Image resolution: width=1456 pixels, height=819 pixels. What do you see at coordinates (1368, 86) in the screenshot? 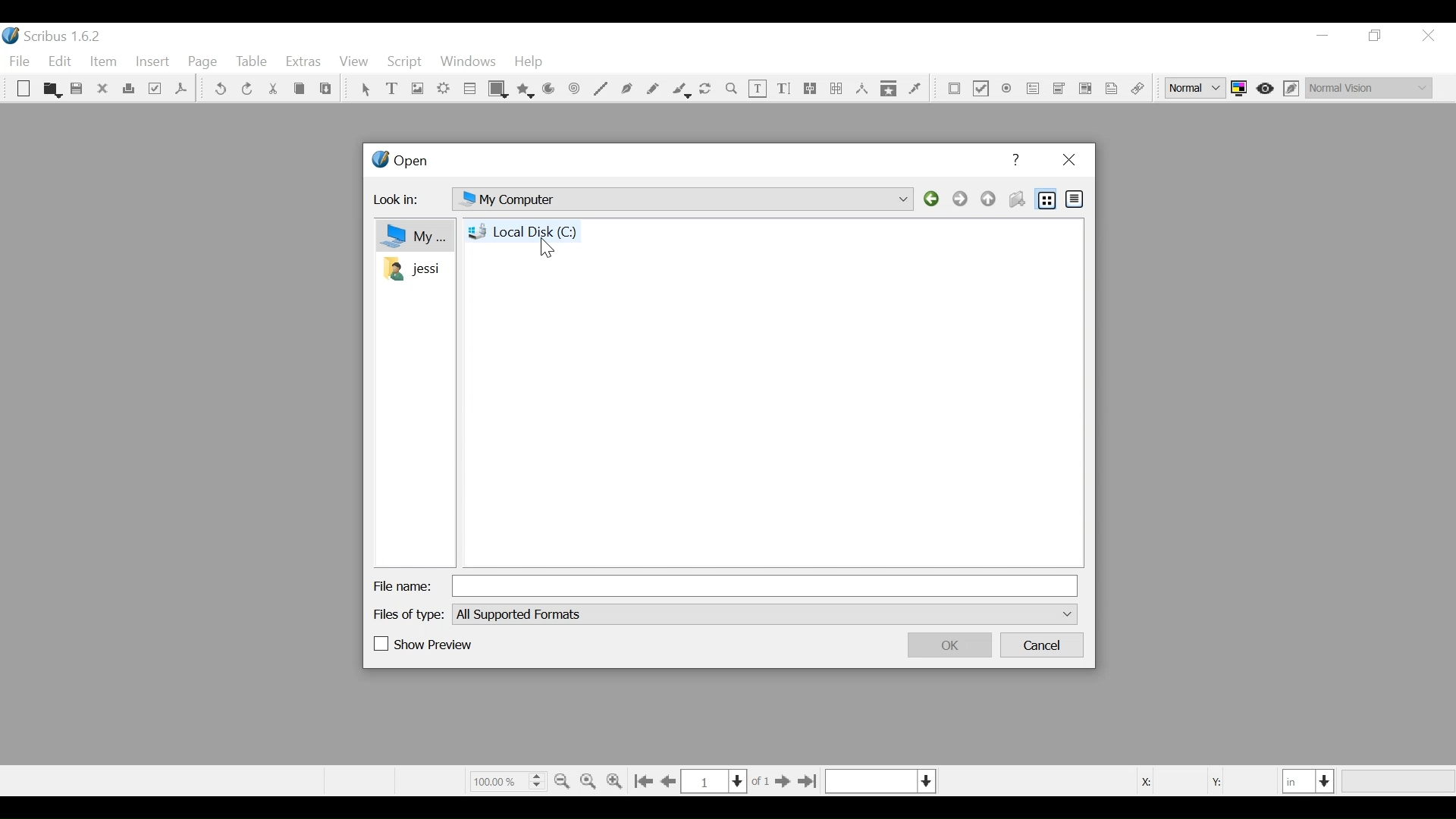
I see `Select the visual appearance of the display` at bounding box center [1368, 86].